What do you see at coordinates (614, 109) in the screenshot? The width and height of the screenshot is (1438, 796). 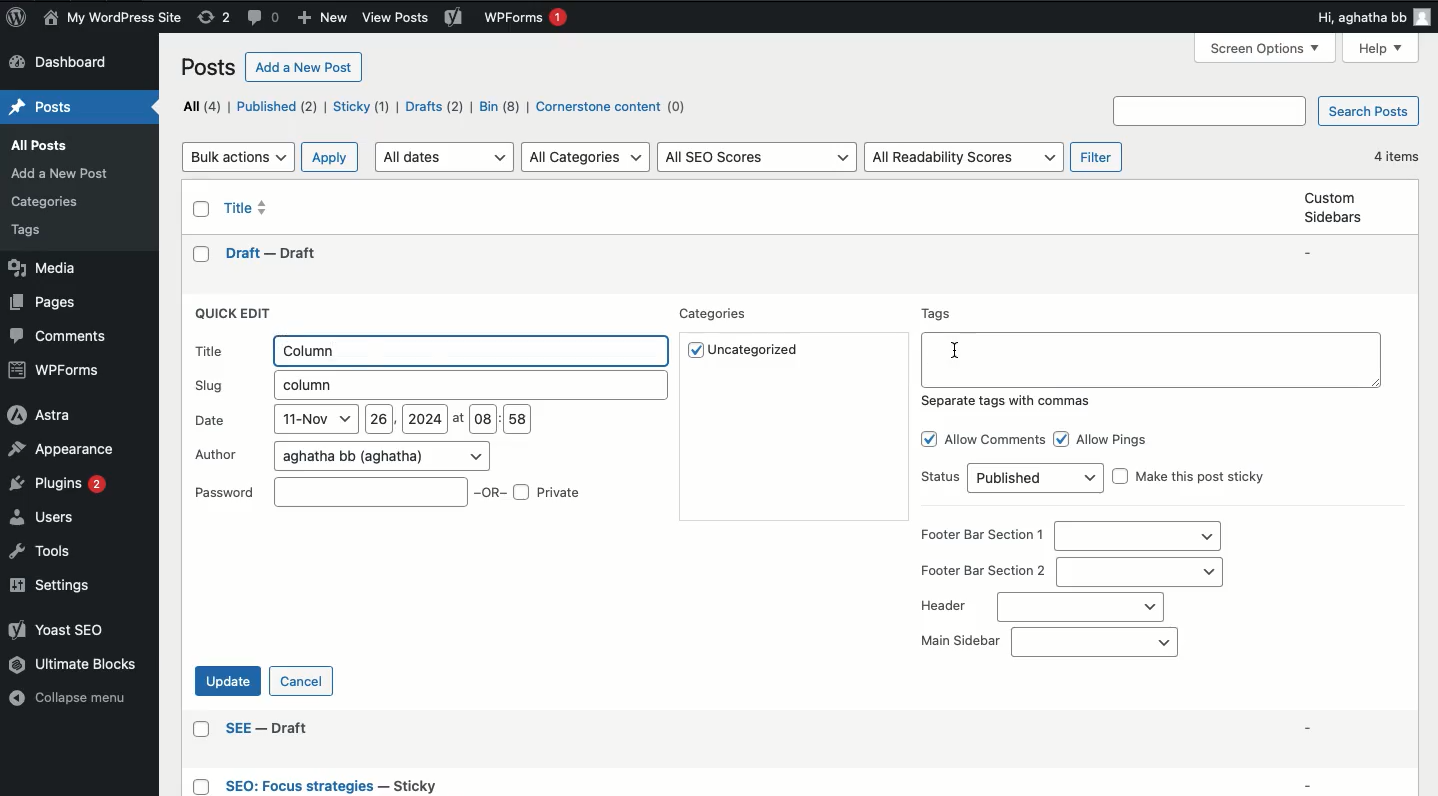 I see `Cornerstone content` at bounding box center [614, 109].